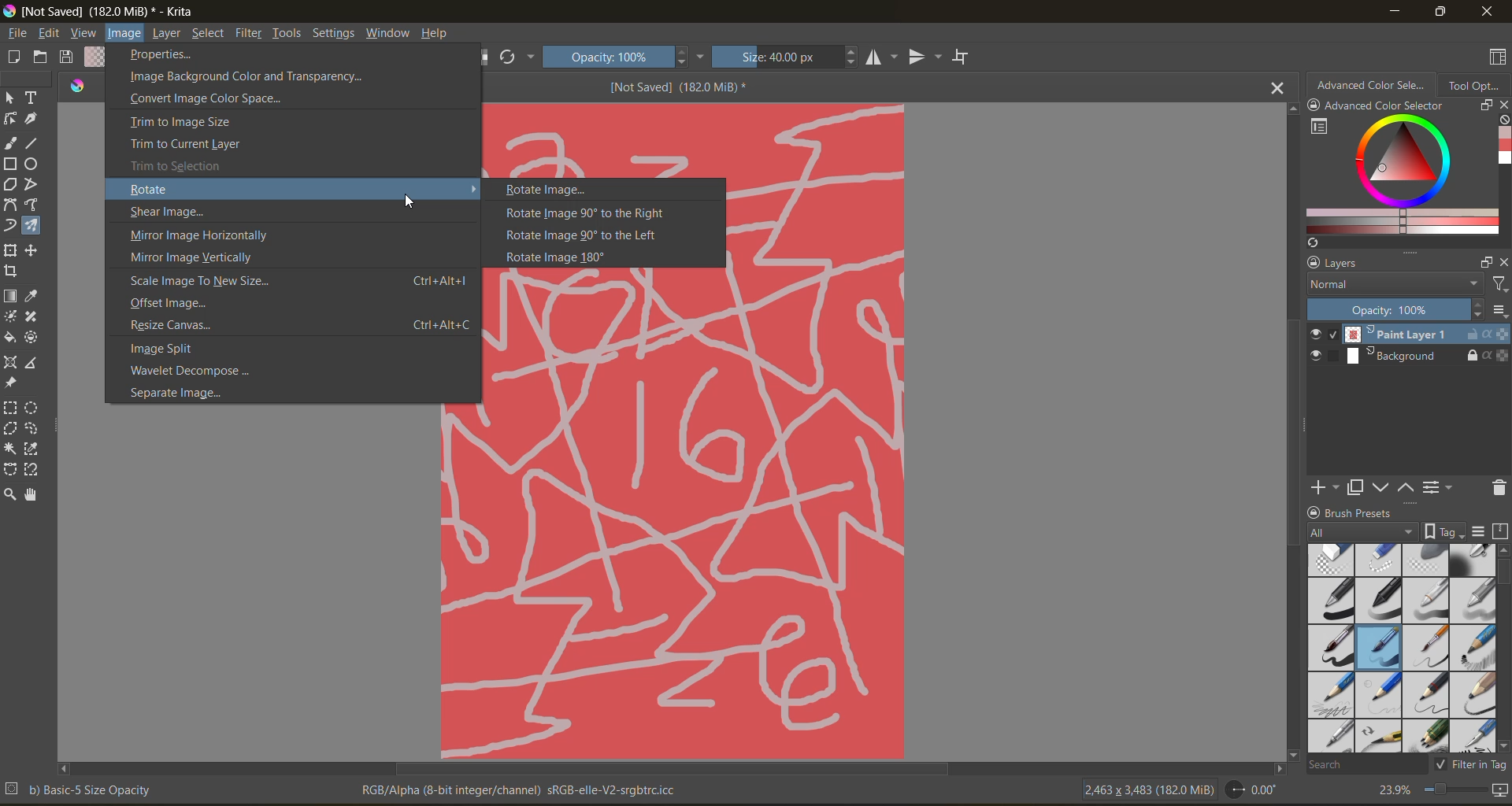 The image size is (1512, 806). What do you see at coordinates (1376, 96) in the screenshot?
I see `advanced color selector` at bounding box center [1376, 96].